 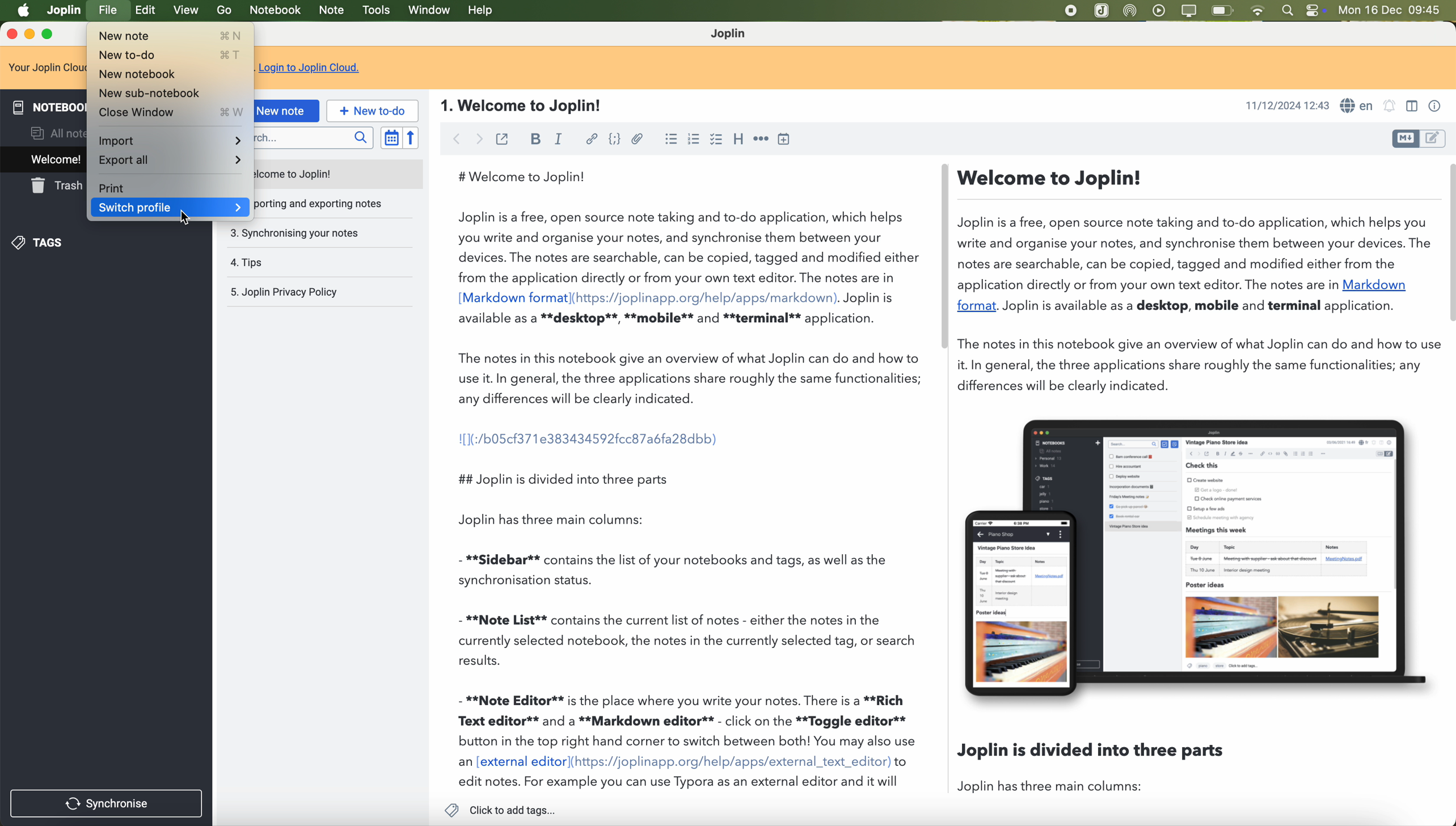 What do you see at coordinates (535, 139) in the screenshot?
I see `bold` at bounding box center [535, 139].